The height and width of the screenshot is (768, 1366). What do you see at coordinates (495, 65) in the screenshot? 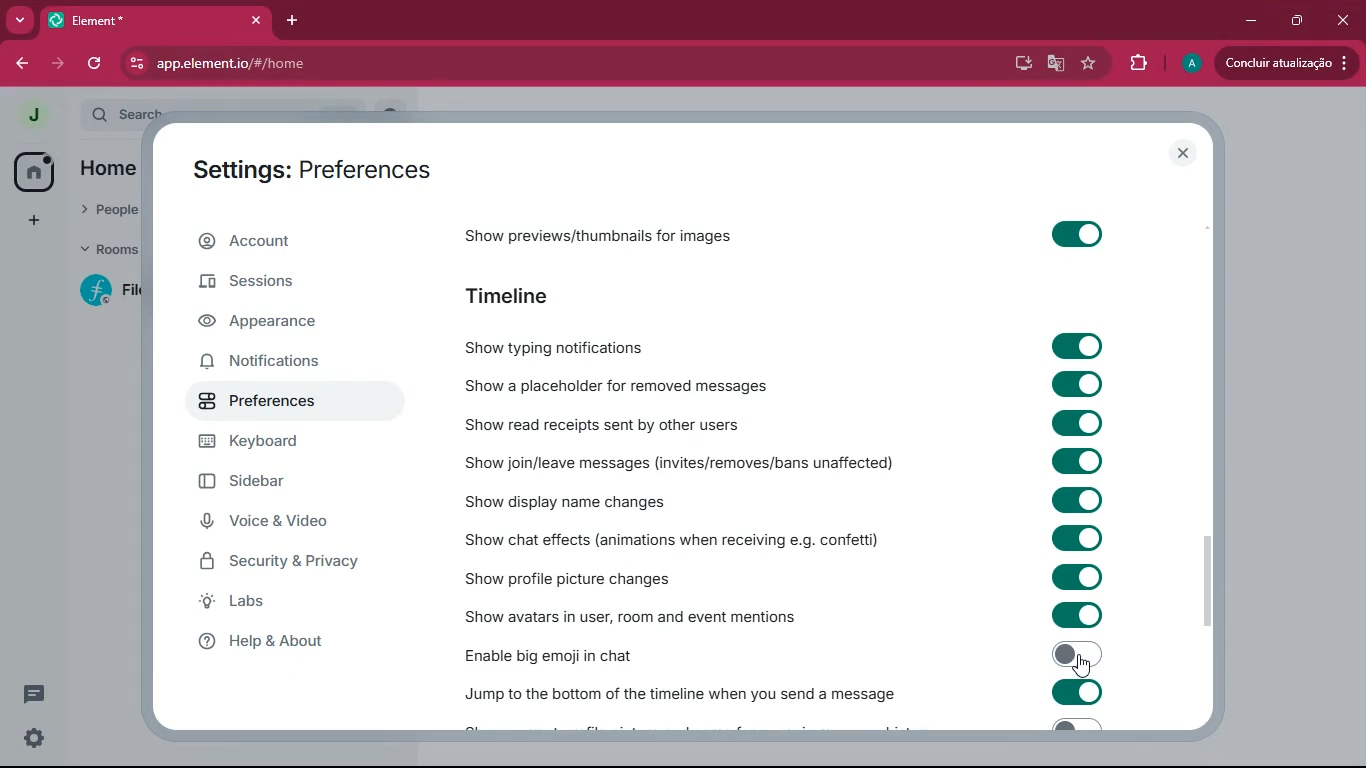
I see `app.element.io/#/home` at bounding box center [495, 65].